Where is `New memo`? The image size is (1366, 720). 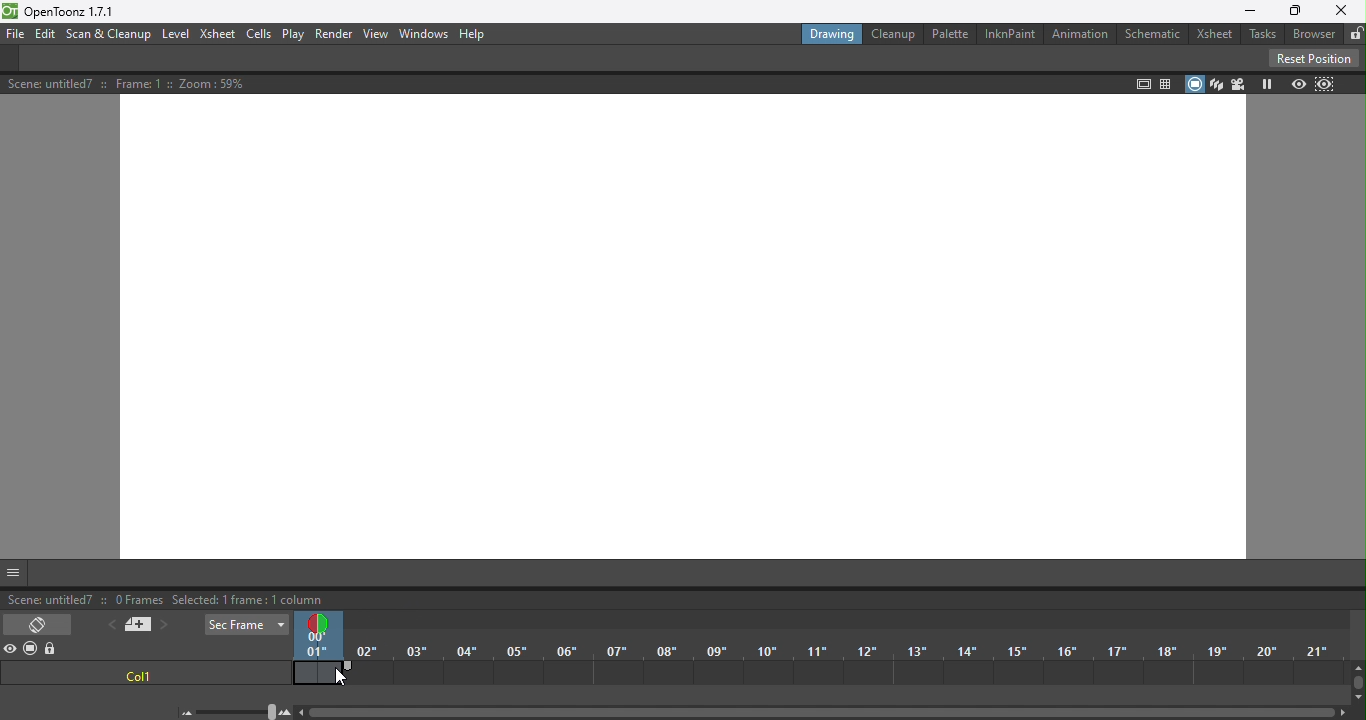 New memo is located at coordinates (137, 627).